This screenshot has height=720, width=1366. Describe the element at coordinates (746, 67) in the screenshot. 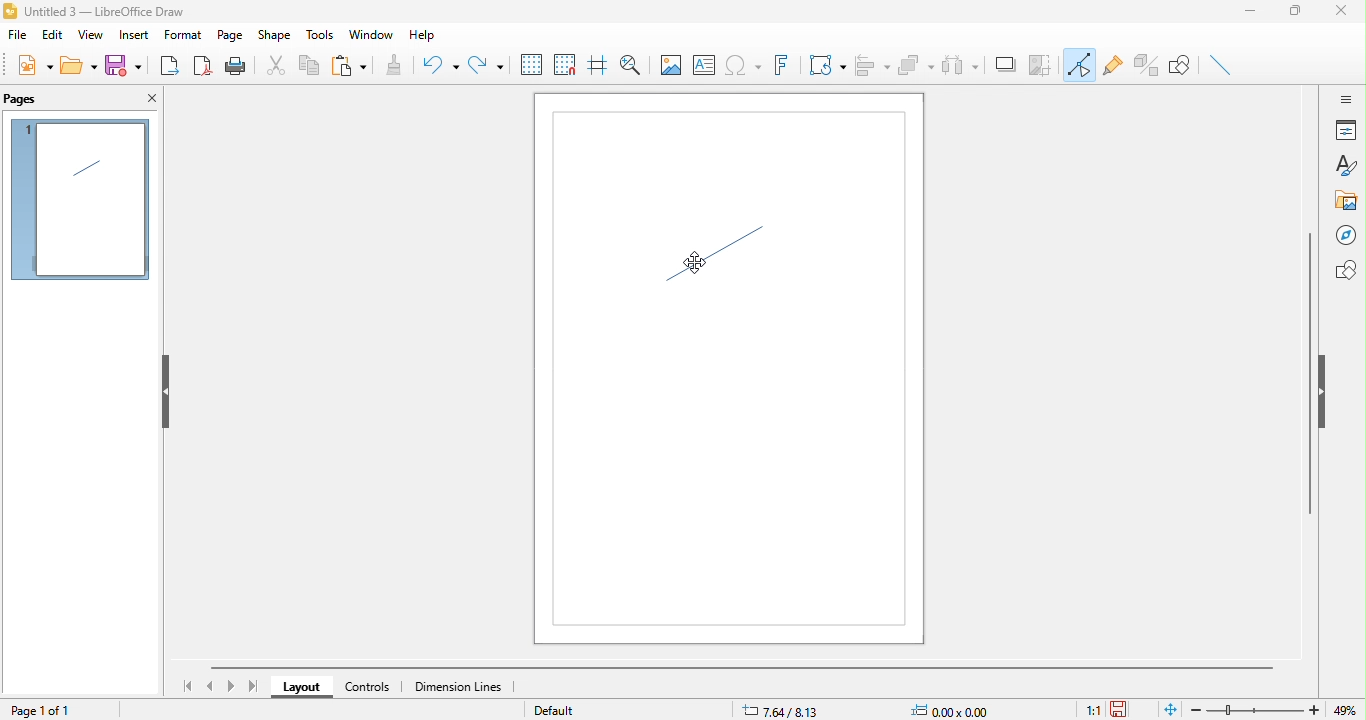

I see `special character` at that location.